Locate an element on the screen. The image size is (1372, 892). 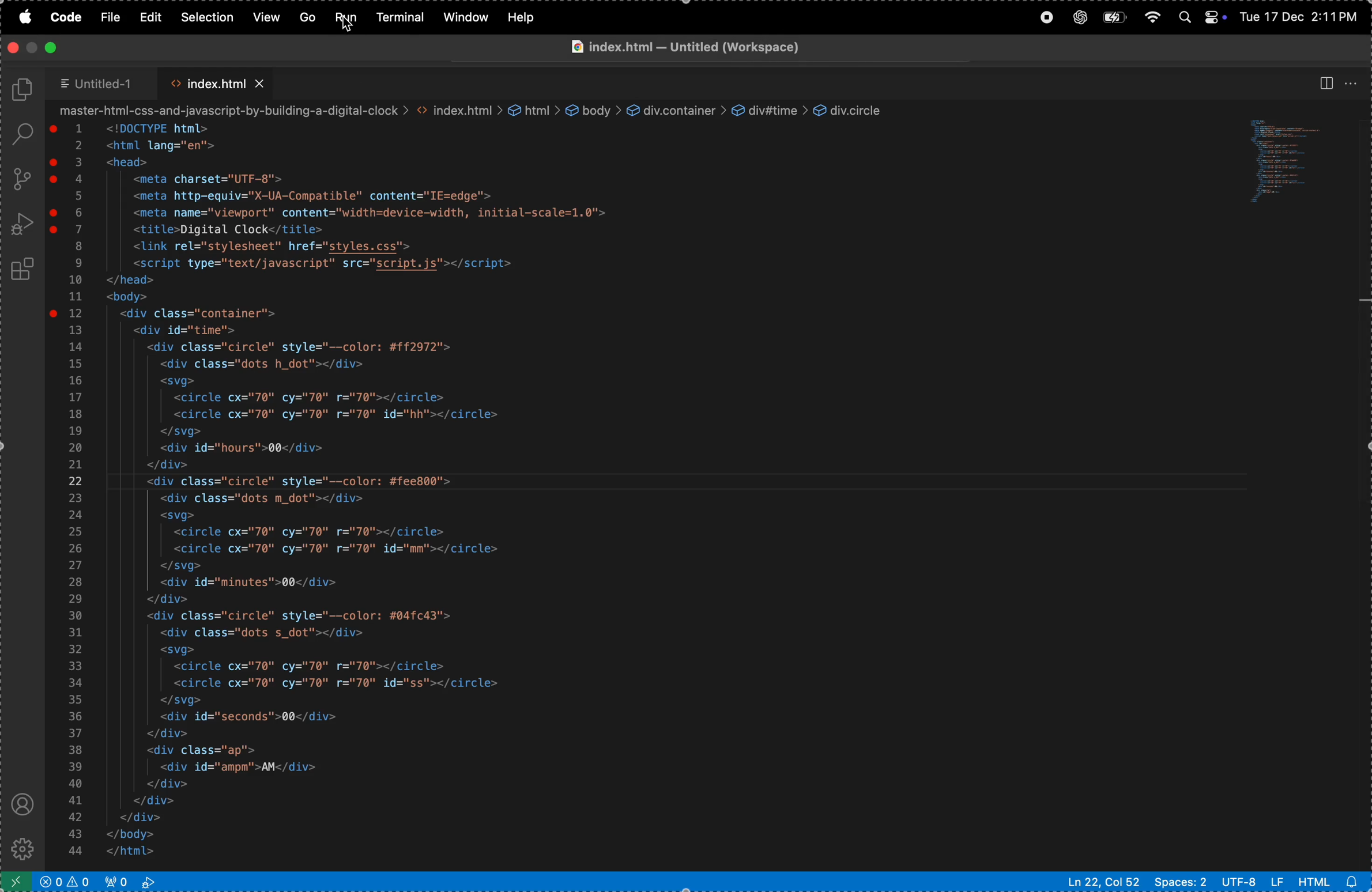
maximize is located at coordinates (49, 48).